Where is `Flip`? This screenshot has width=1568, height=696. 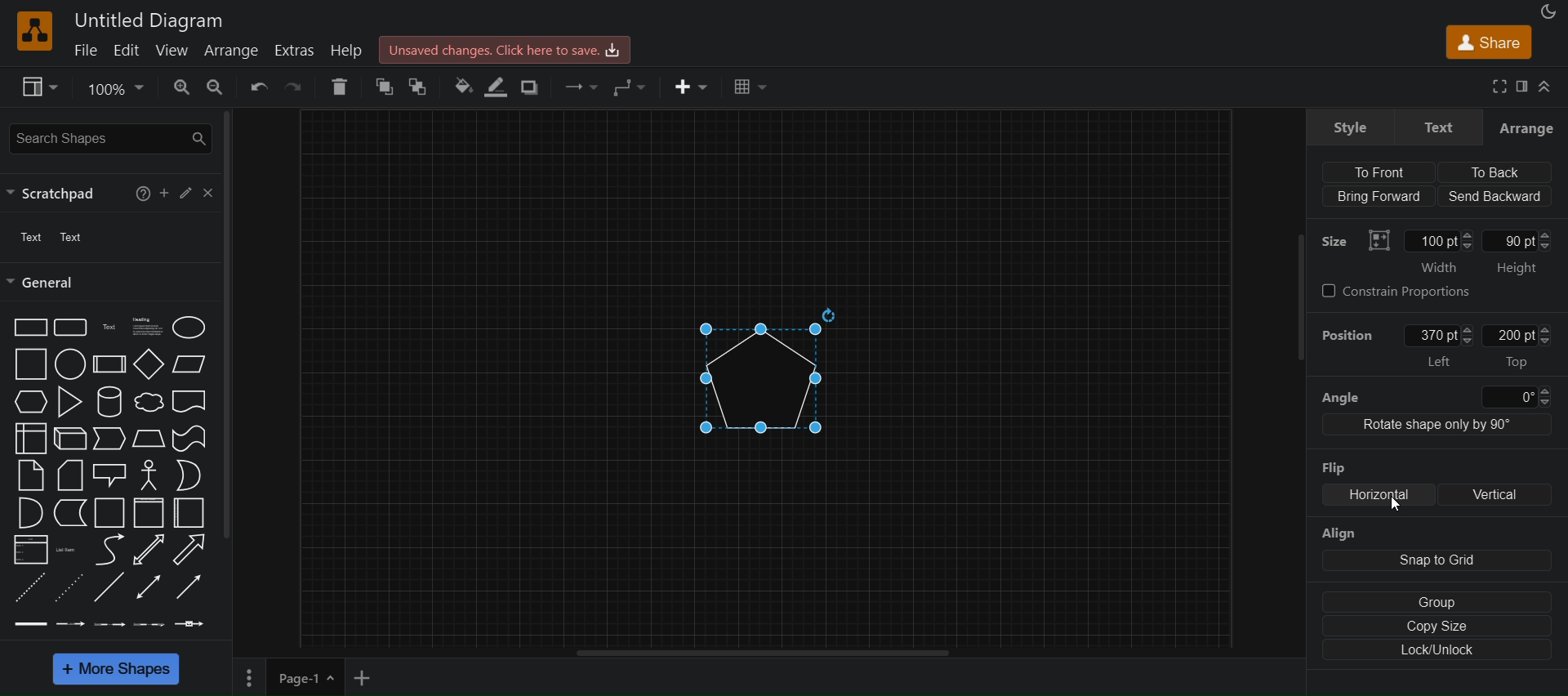 Flip is located at coordinates (1334, 468).